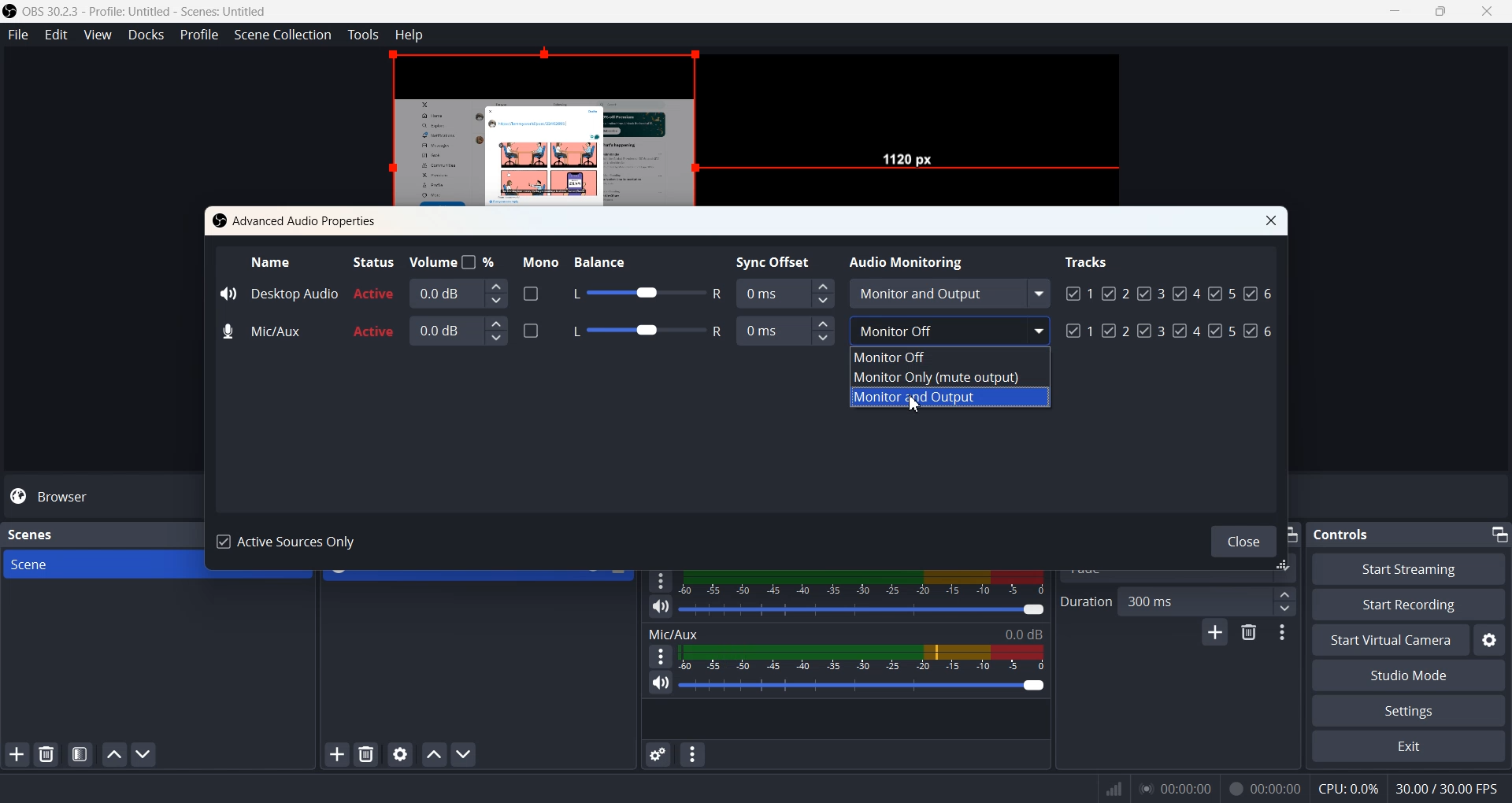 The width and height of the screenshot is (1512, 803). Describe the element at coordinates (1451, 789) in the screenshot. I see `30.00 / 30.00 FPS` at that location.